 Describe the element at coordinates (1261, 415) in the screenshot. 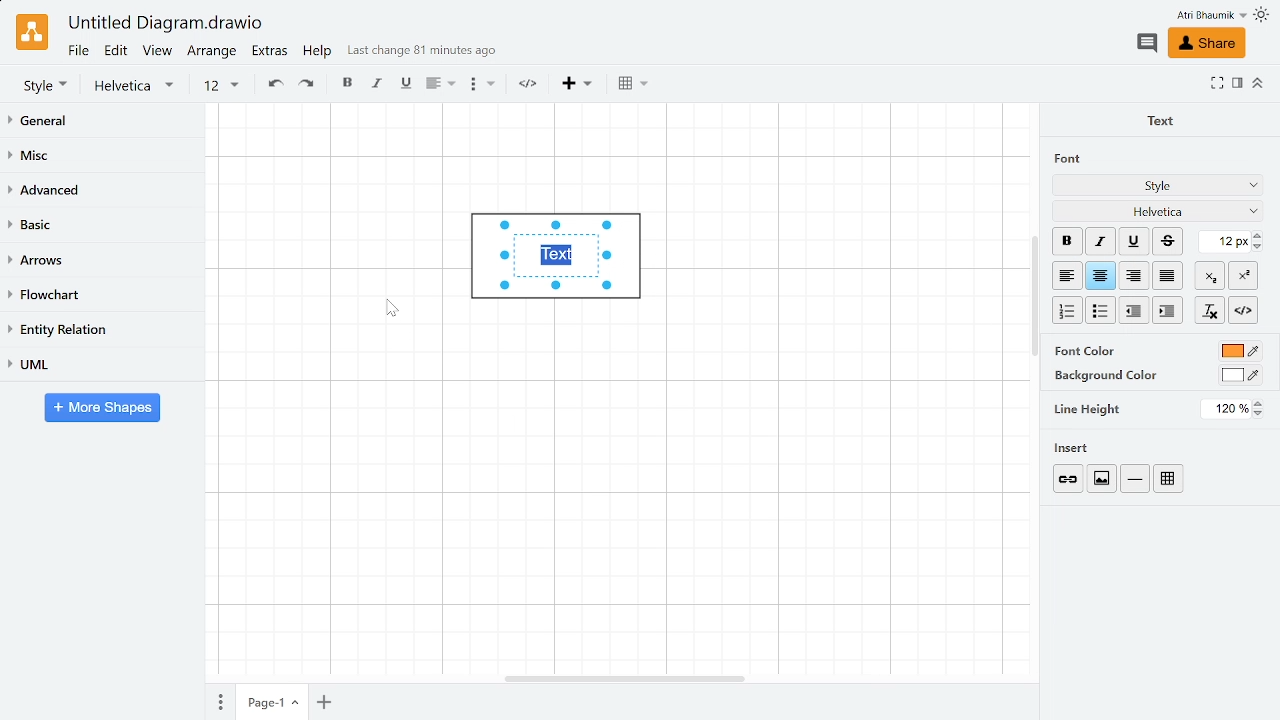

I see `Decrease line height` at that location.